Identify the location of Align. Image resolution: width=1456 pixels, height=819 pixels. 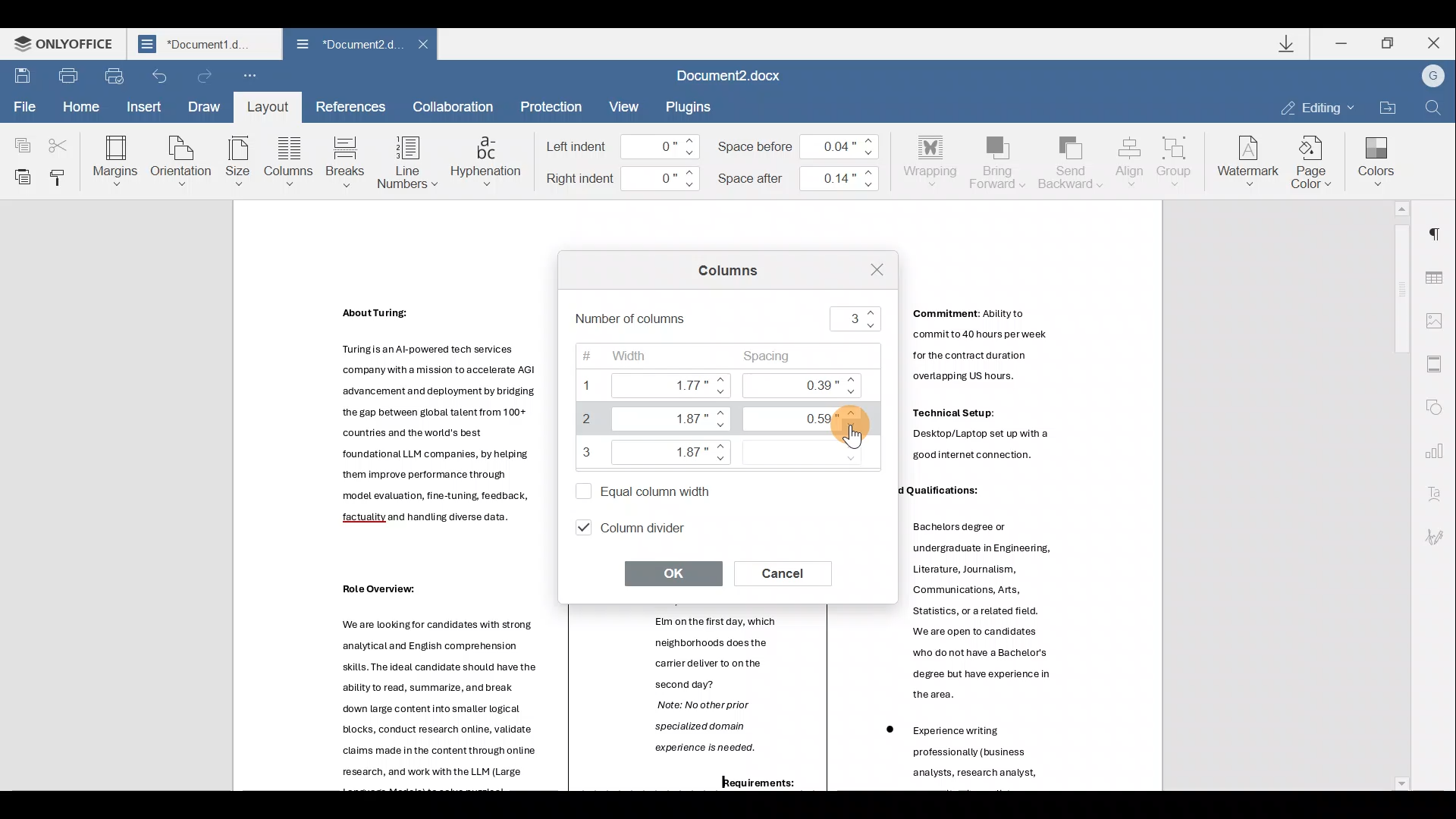
(1130, 160).